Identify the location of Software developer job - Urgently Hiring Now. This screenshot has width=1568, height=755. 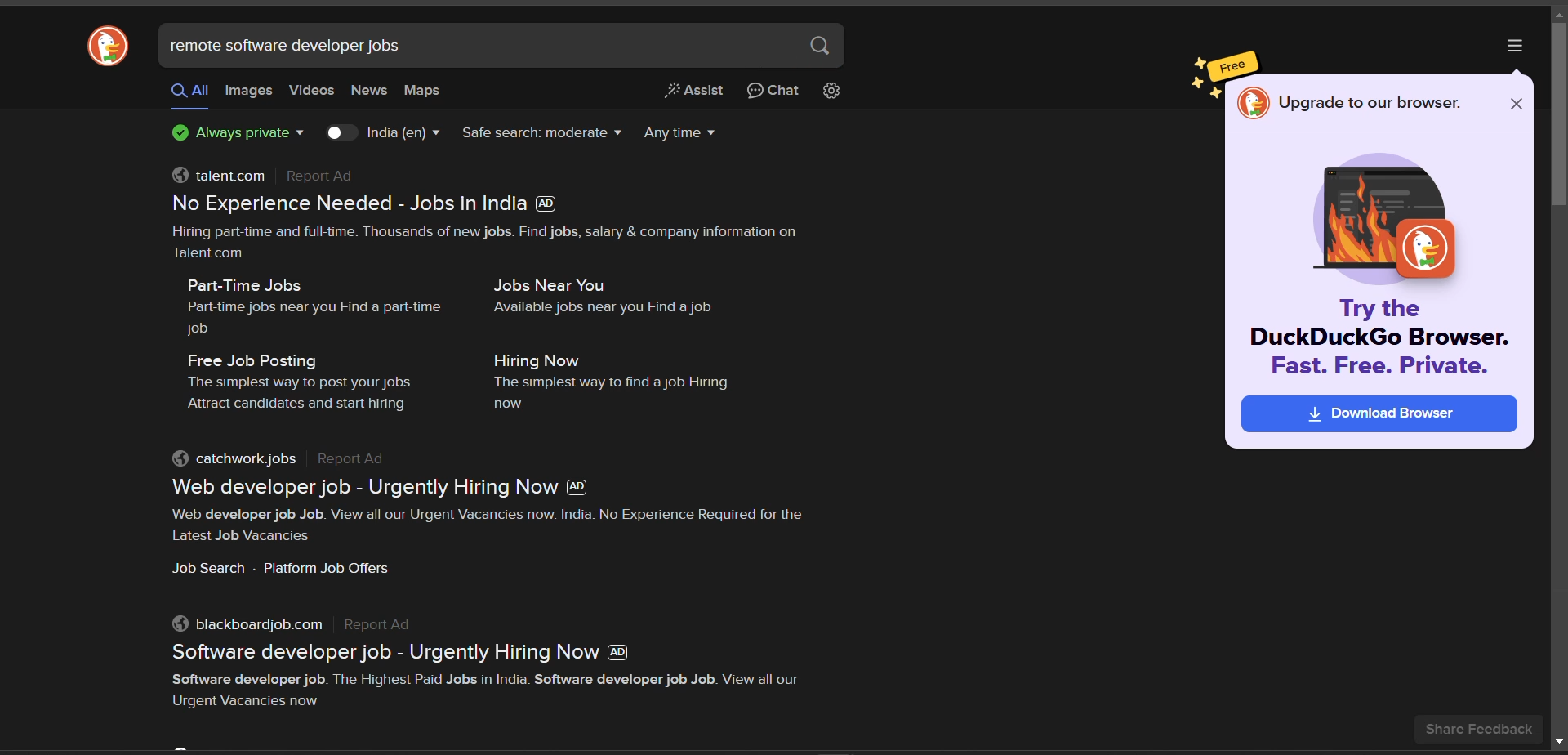
(406, 652).